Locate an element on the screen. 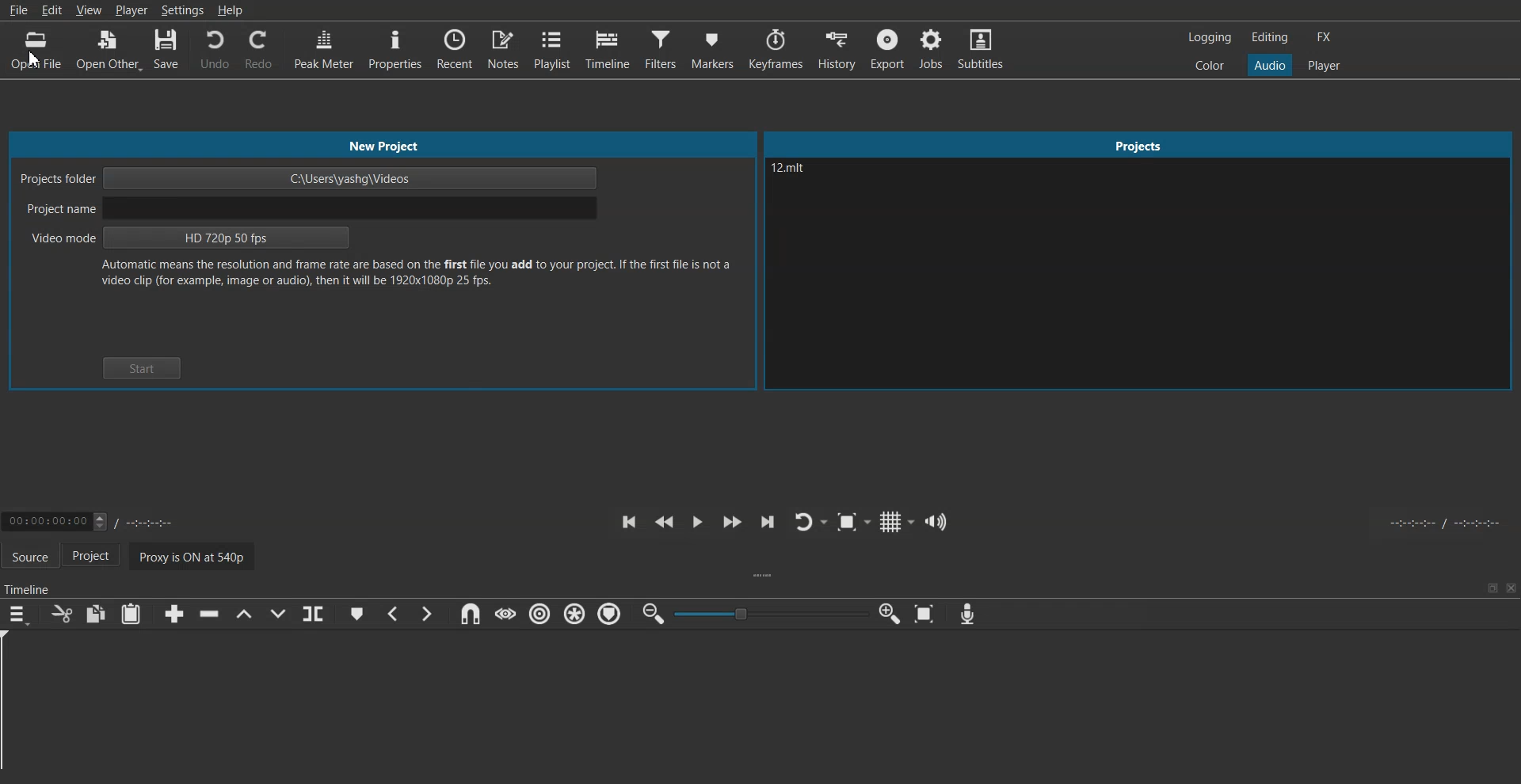 The width and height of the screenshot is (1521, 784). Snap is located at coordinates (467, 614).